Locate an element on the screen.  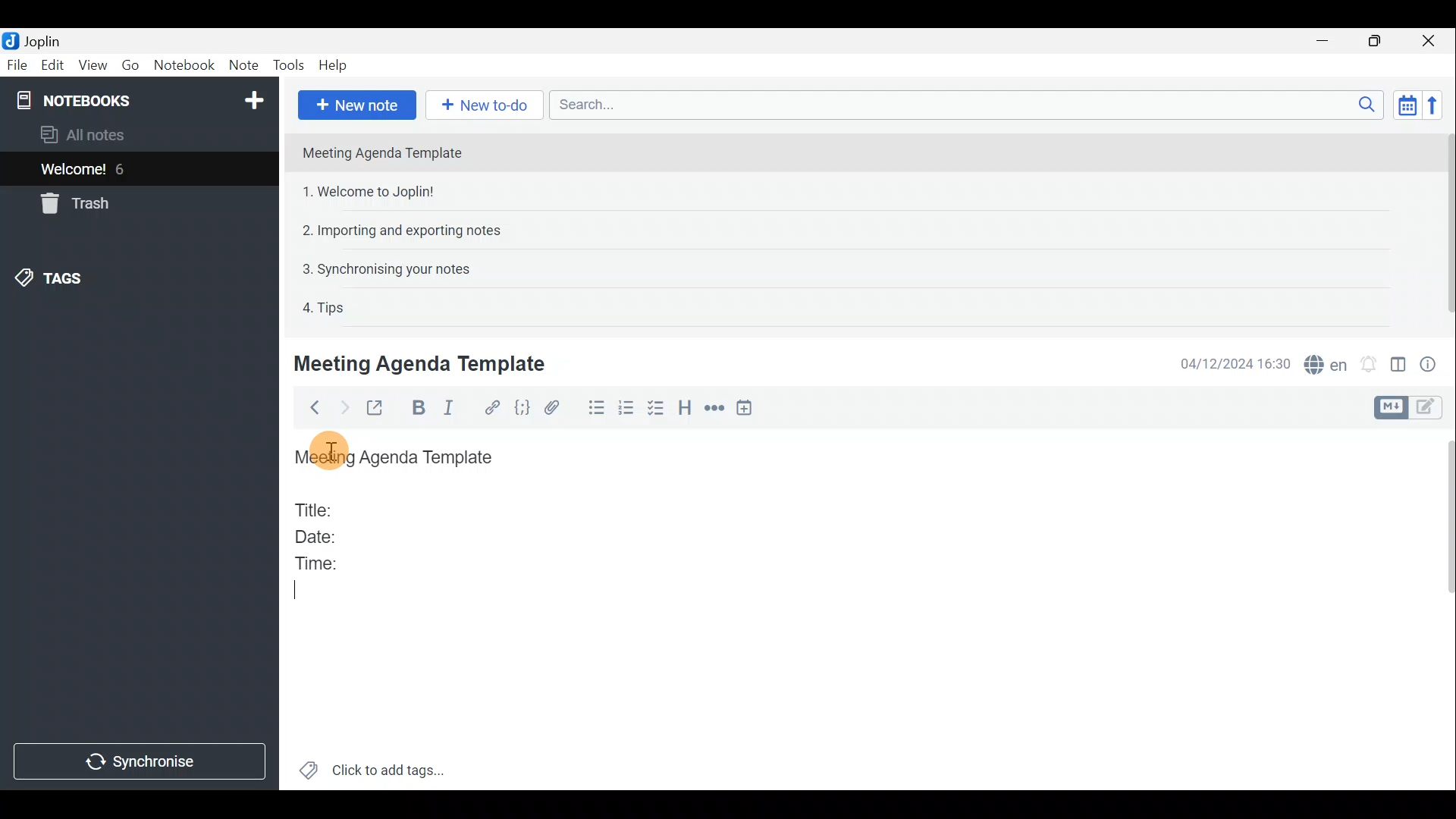
Heading is located at coordinates (684, 411).